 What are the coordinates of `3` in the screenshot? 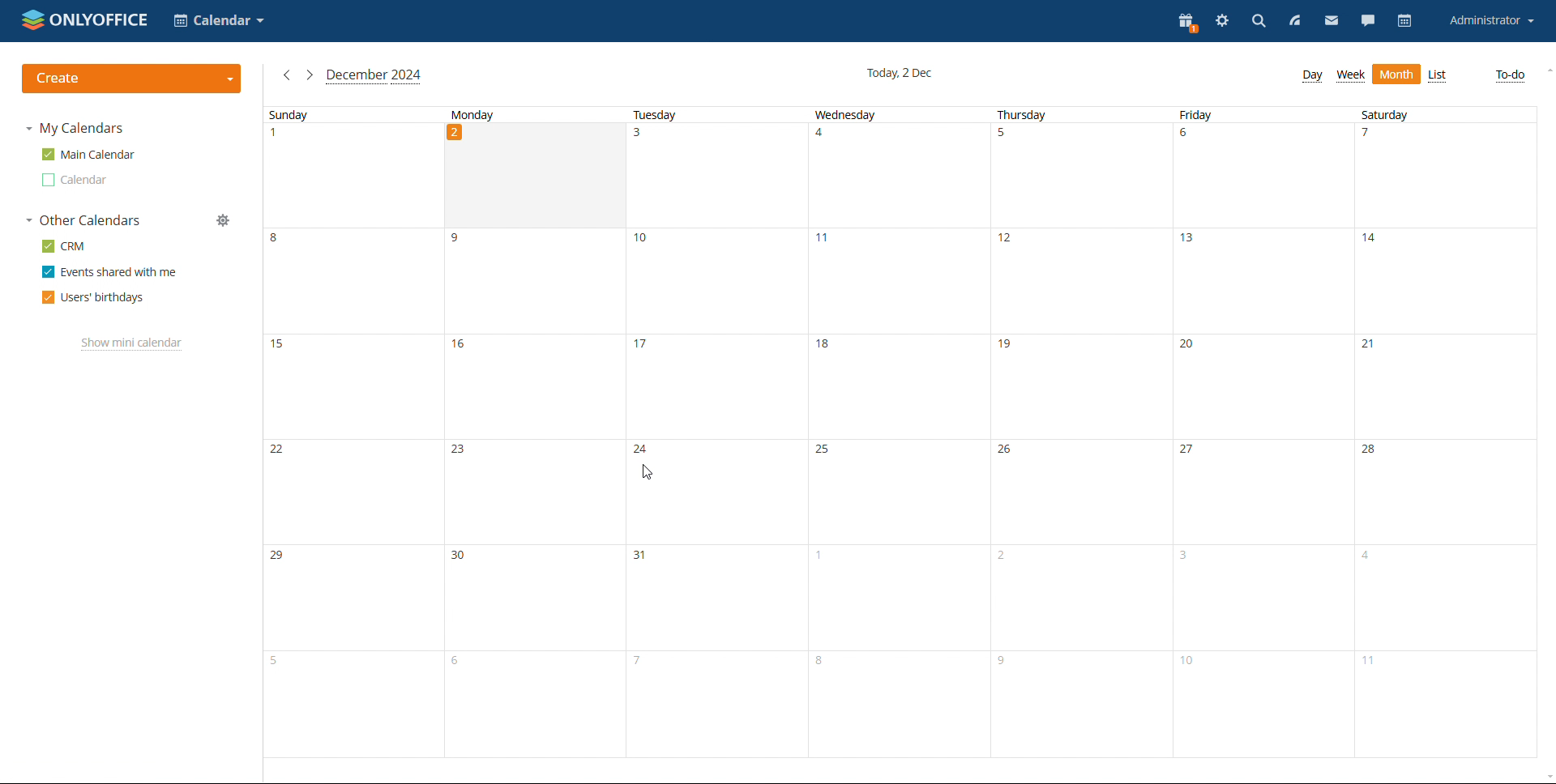 It's located at (1188, 556).